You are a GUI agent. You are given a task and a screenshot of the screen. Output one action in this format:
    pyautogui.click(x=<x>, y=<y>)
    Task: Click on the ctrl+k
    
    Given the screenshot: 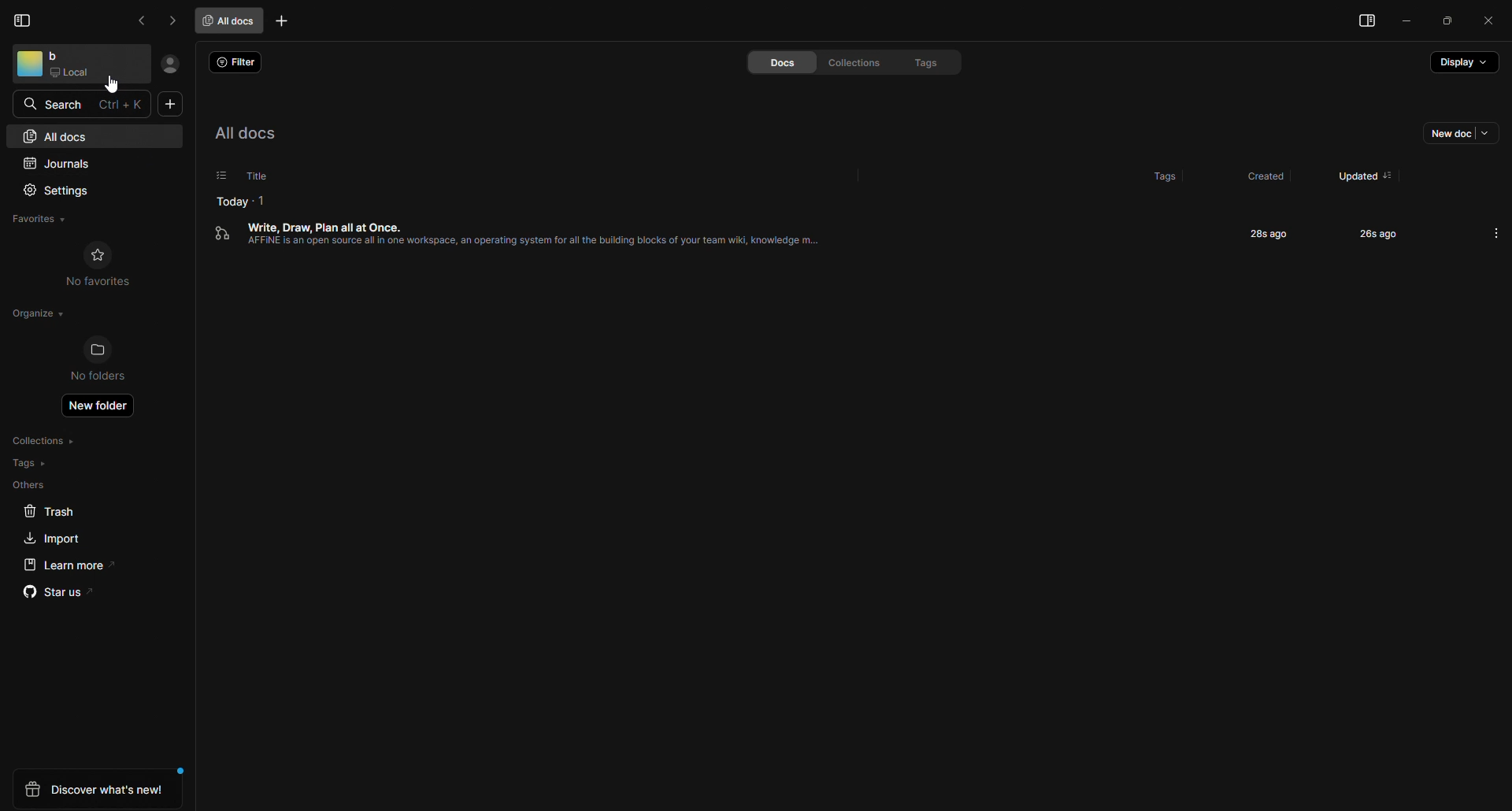 What is the action you would take?
    pyautogui.click(x=123, y=104)
    